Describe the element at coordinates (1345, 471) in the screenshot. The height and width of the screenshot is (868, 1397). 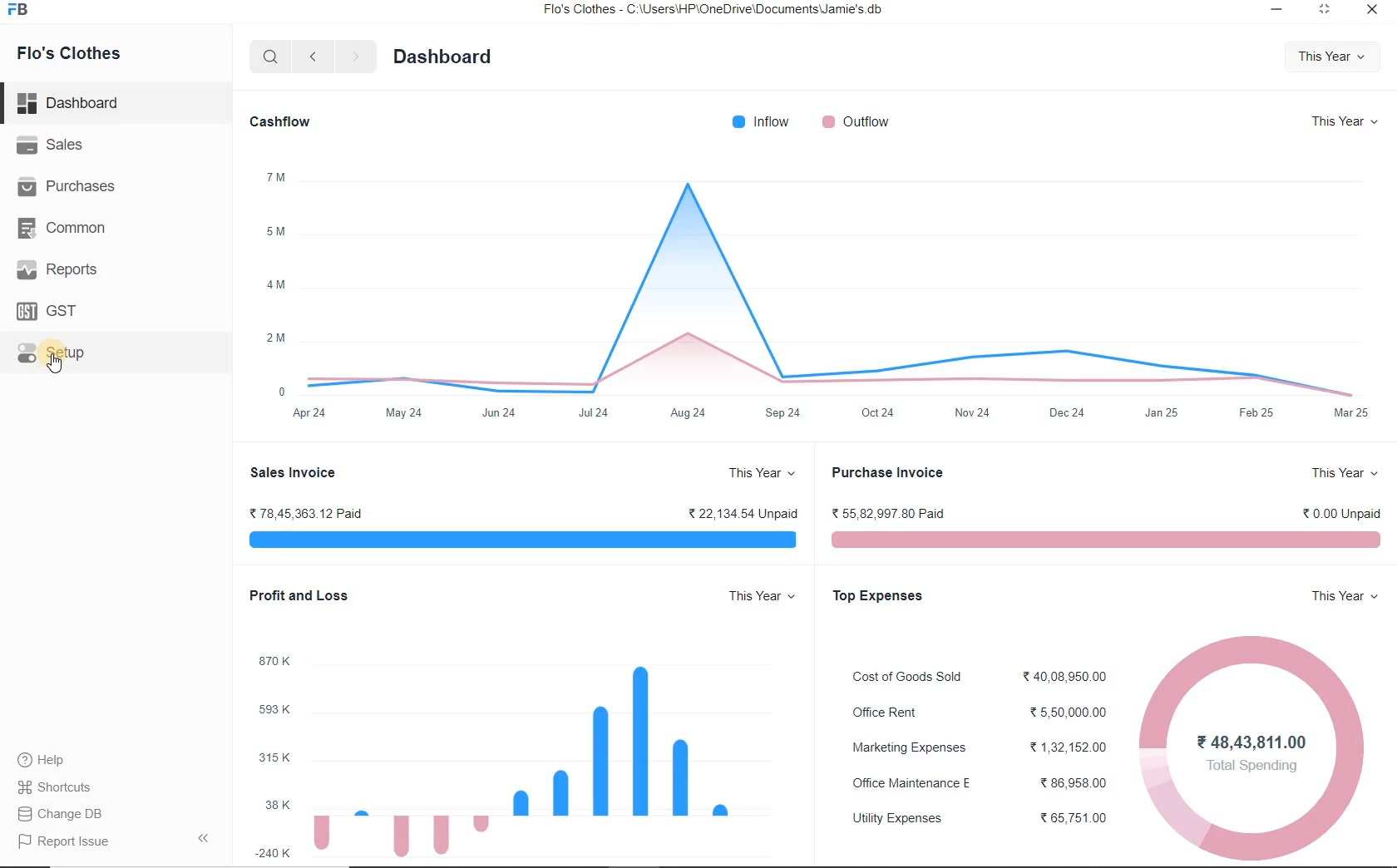
I see `This Year` at that location.